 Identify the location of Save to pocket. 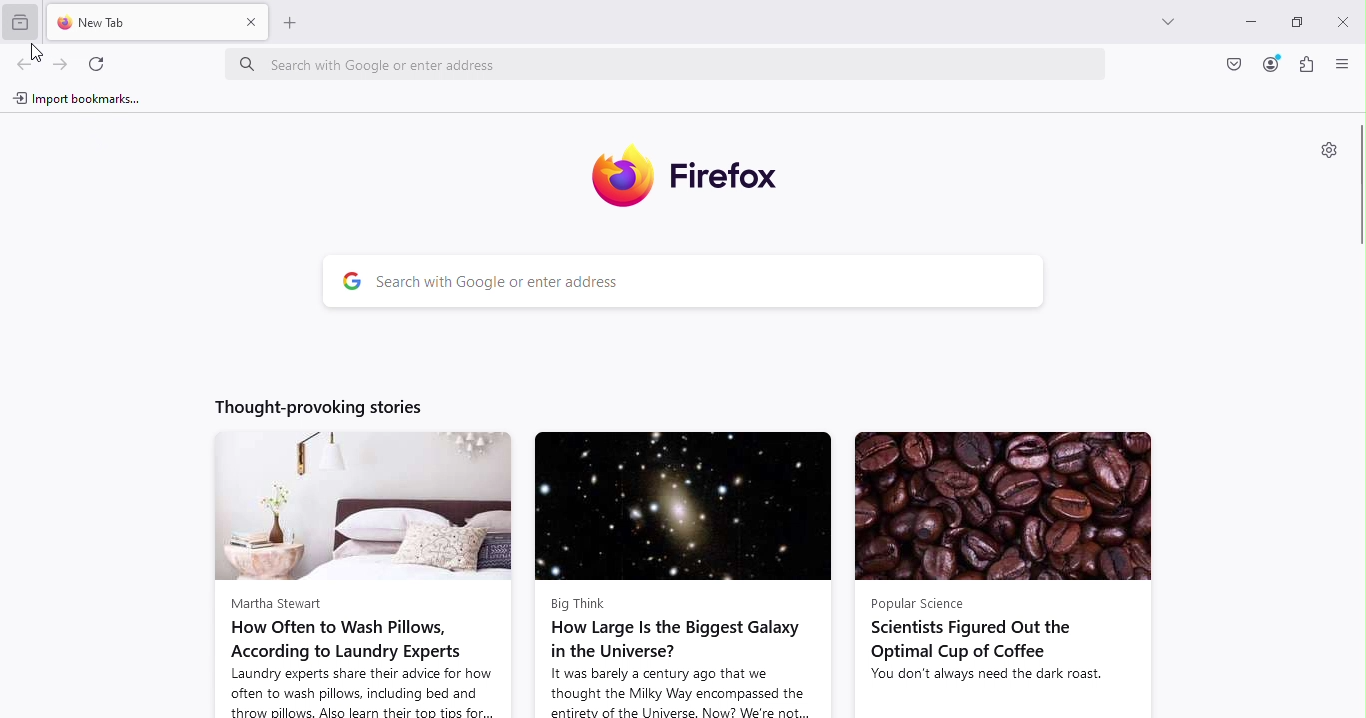
(1230, 63).